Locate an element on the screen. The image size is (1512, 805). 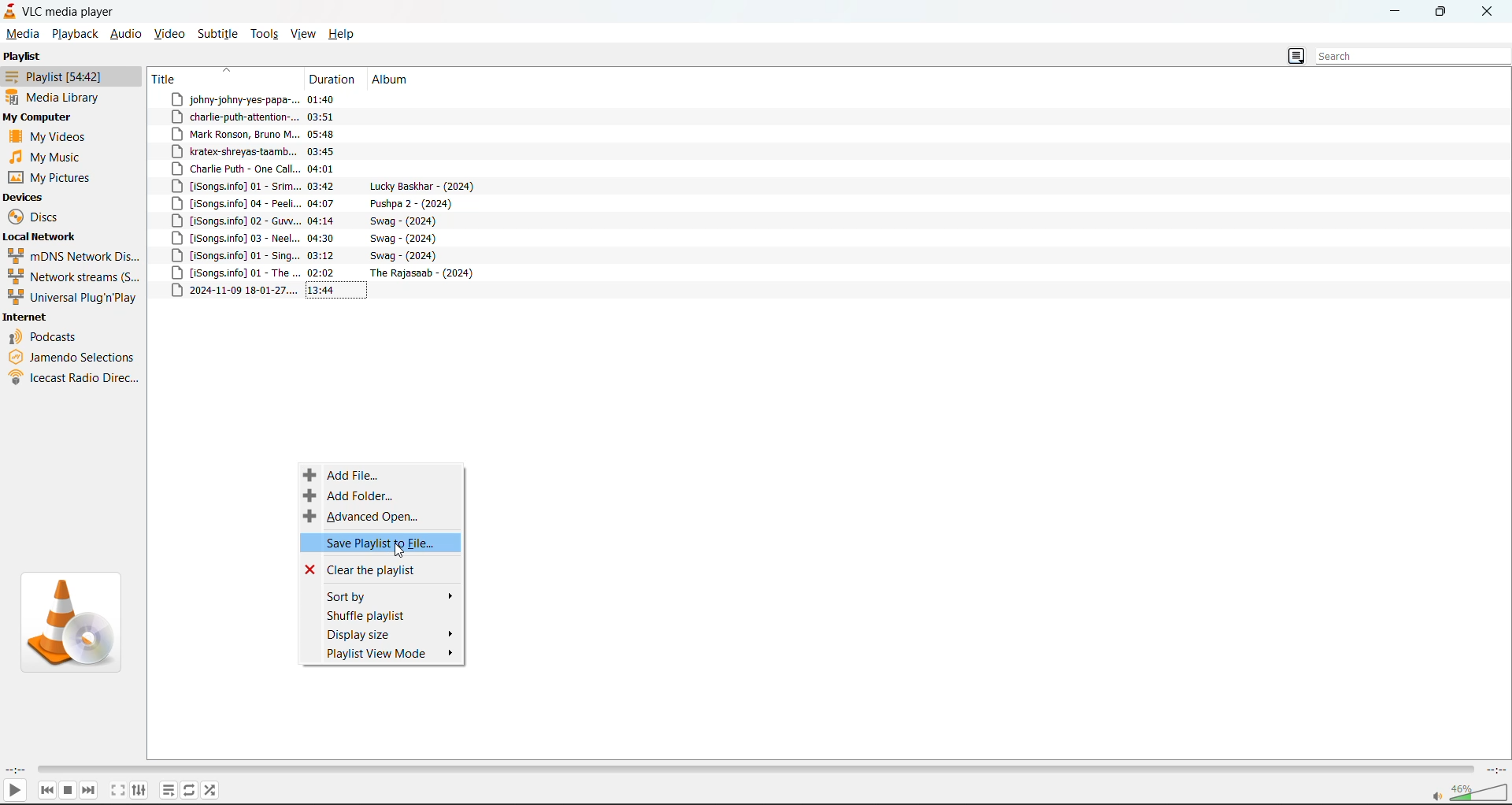
playlist is located at coordinates (169, 791).